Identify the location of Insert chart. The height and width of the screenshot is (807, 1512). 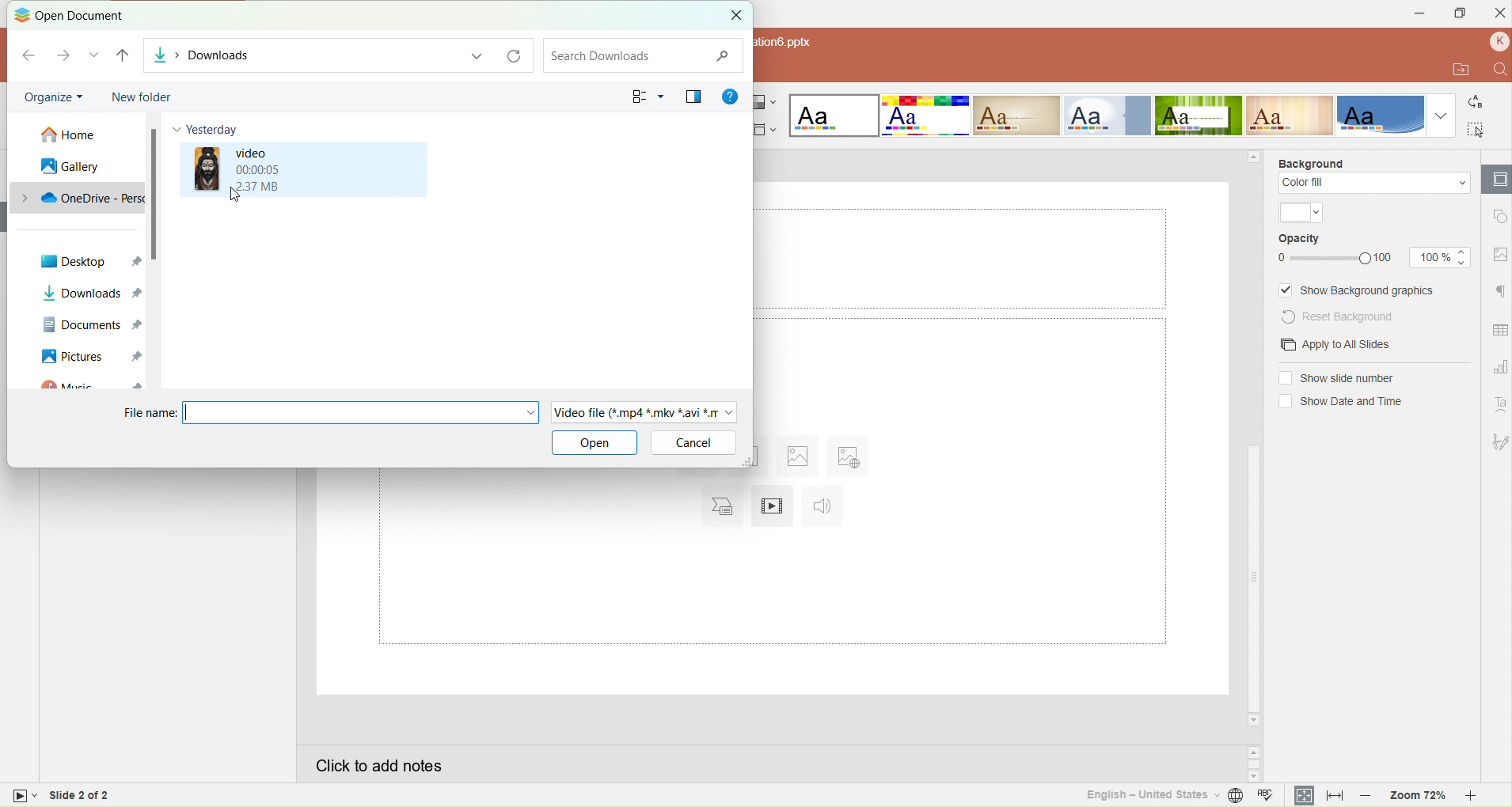
(716, 509).